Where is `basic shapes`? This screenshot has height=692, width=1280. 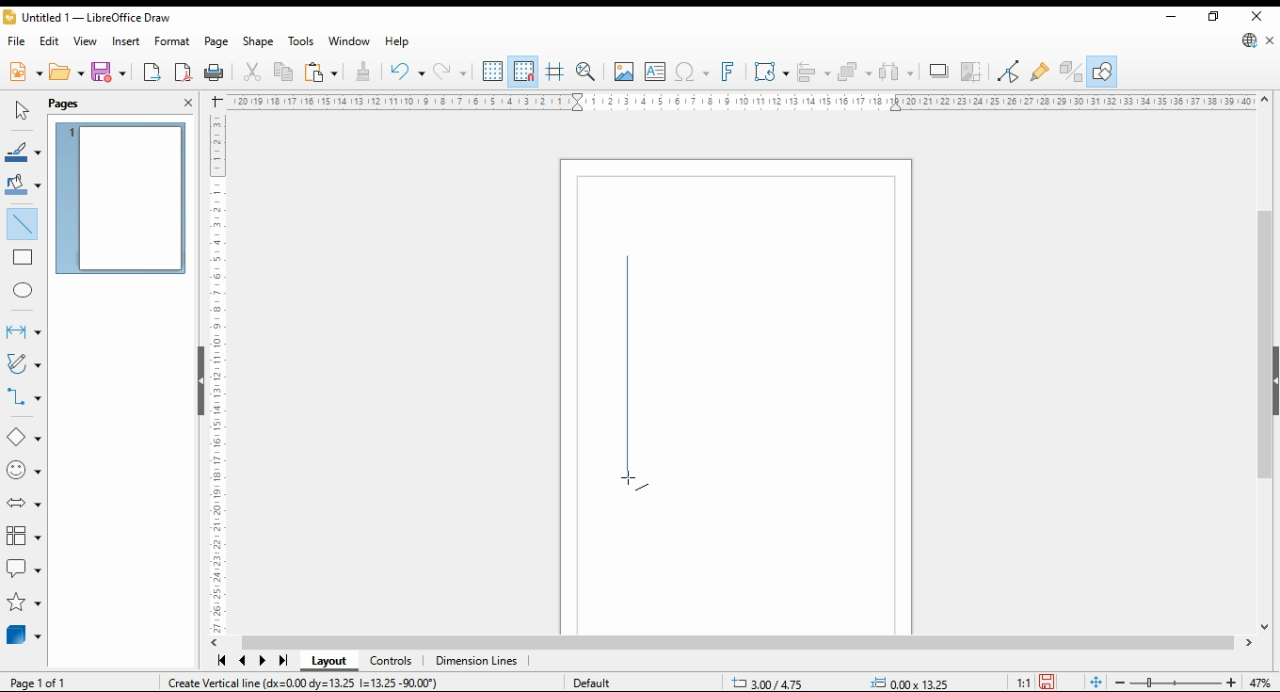
basic shapes is located at coordinates (20, 438).